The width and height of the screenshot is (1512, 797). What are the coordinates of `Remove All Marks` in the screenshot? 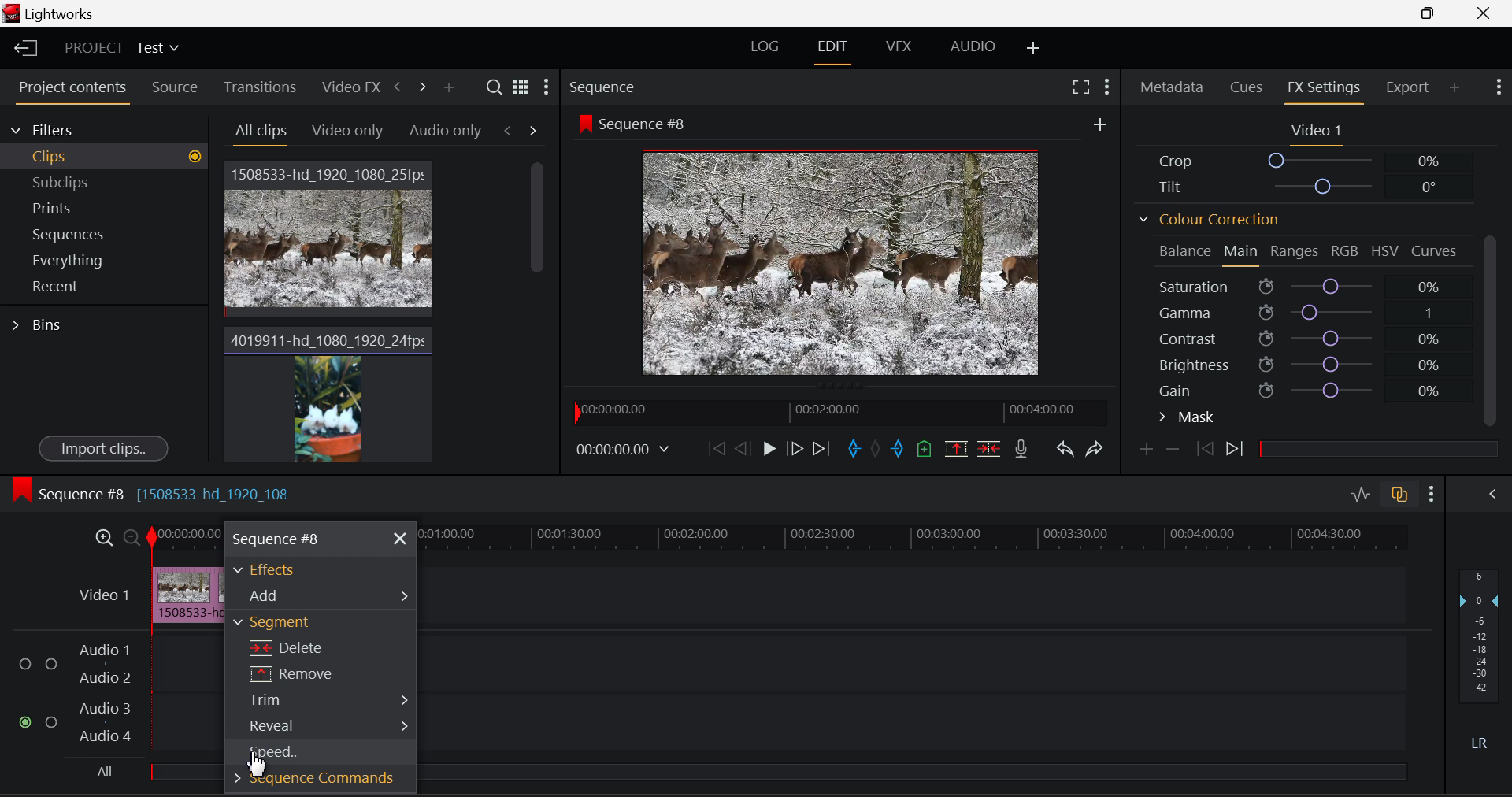 It's located at (877, 447).